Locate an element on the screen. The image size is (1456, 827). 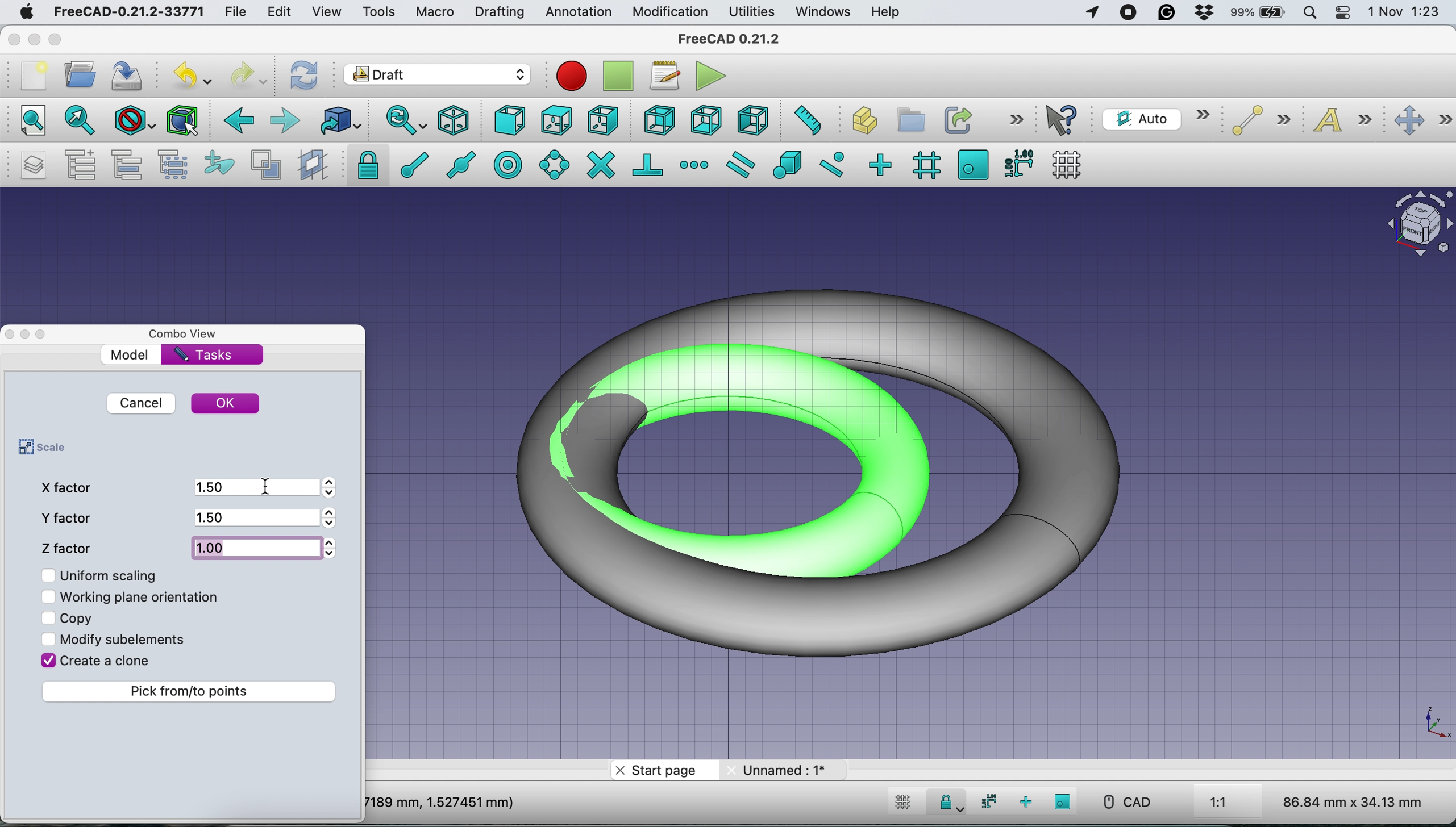
execute macros is located at coordinates (711, 76).